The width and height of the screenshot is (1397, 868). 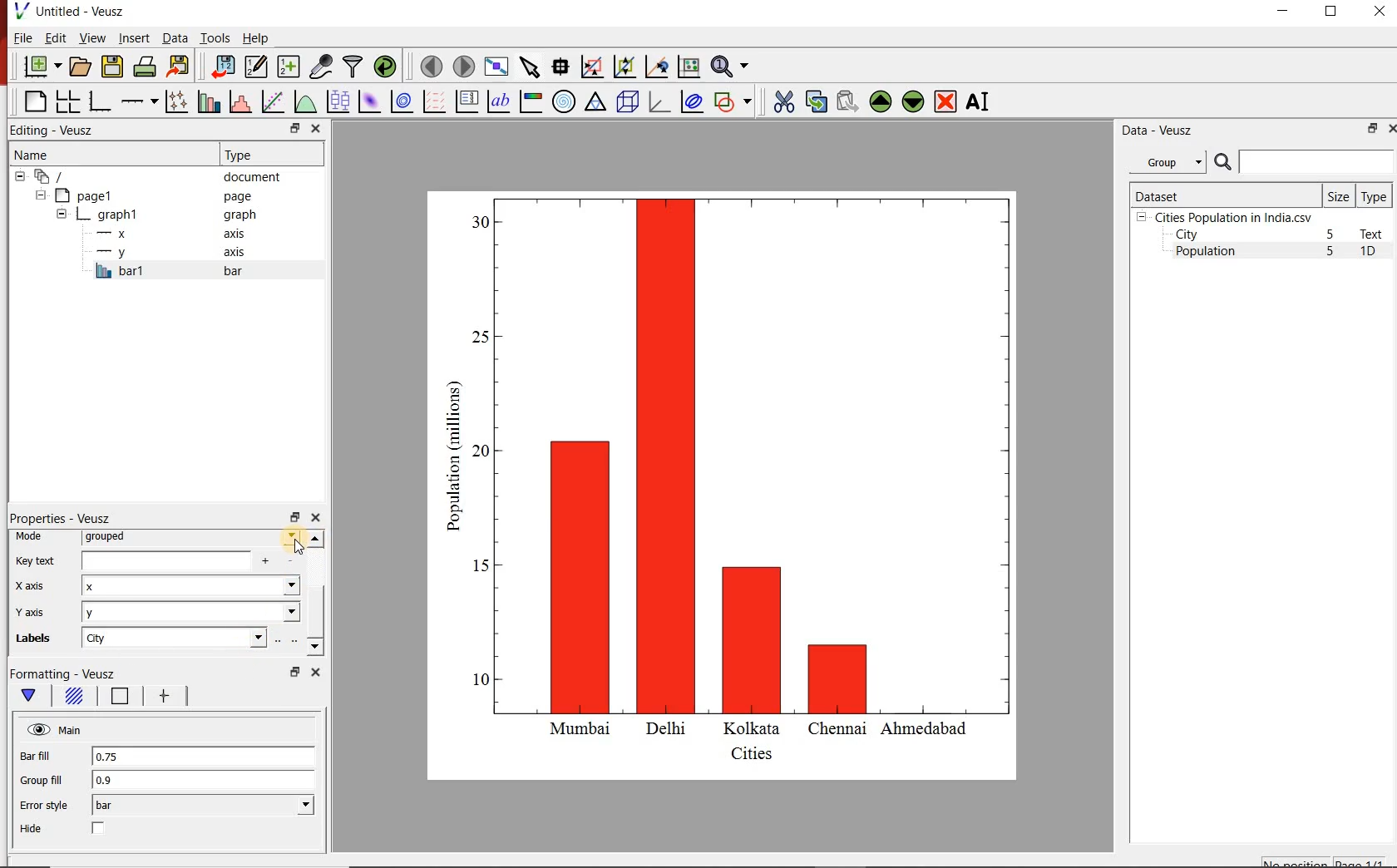 What do you see at coordinates (190, 538) in the screenshot?
I see `grouped` at bounding box center [190, 538].